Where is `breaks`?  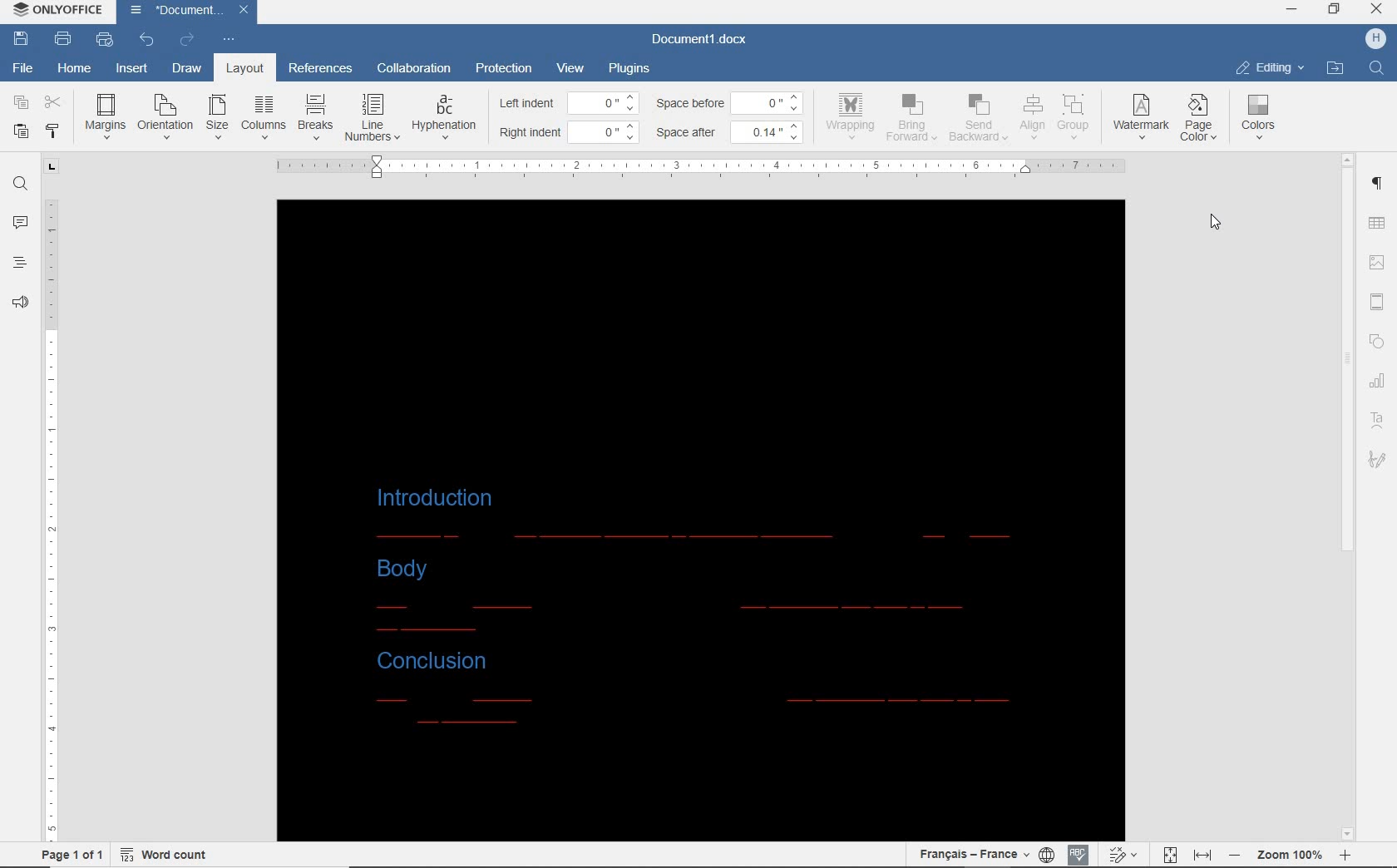 breaks is located at coordinates (315, 118).